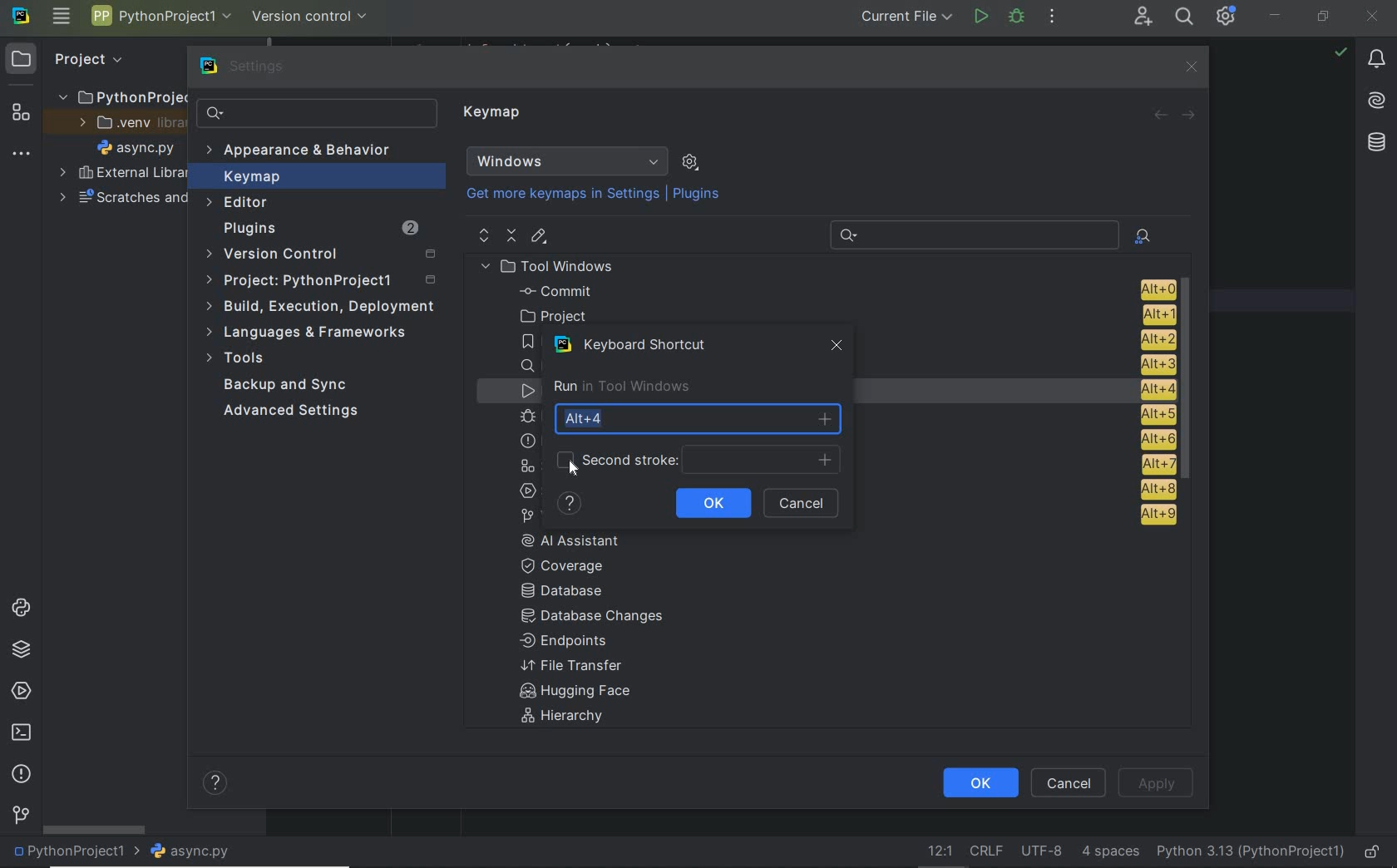 The image size is (1397, 868). I want to click on editor shortcut, so click(540, 238).